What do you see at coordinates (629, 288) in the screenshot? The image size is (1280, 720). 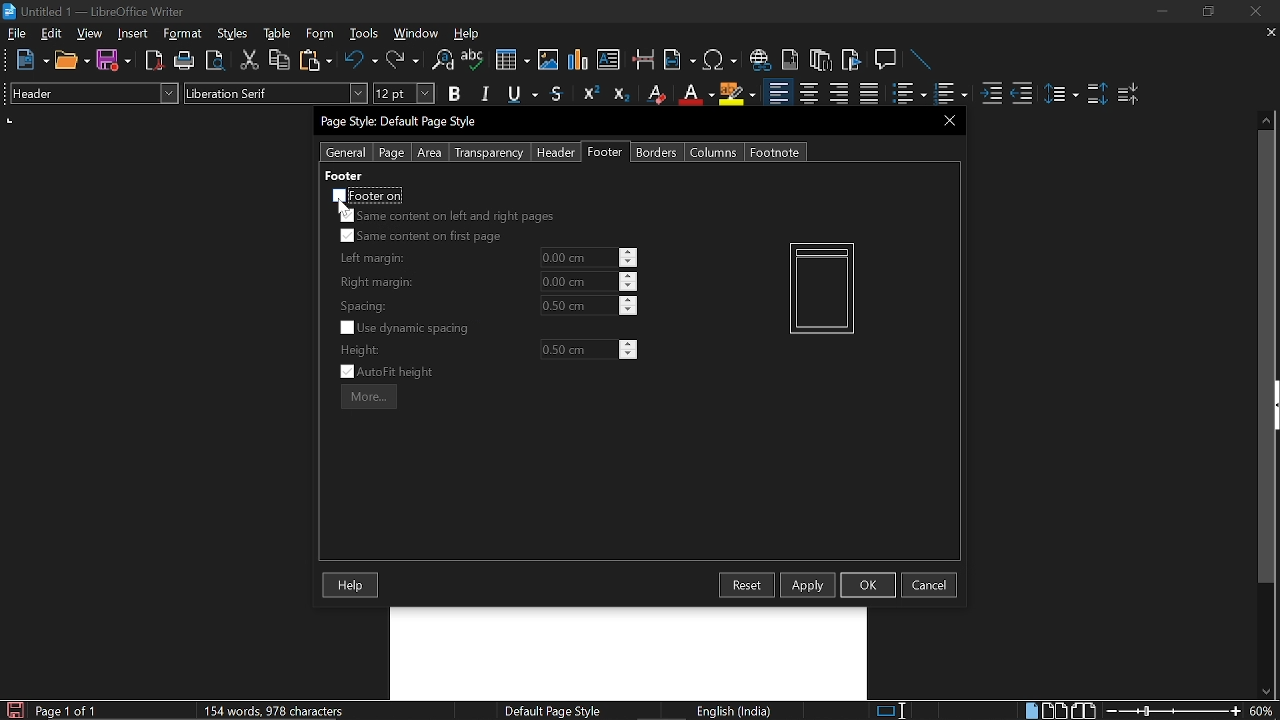 I see `decrease right margin` at bounding box center [629, 288].